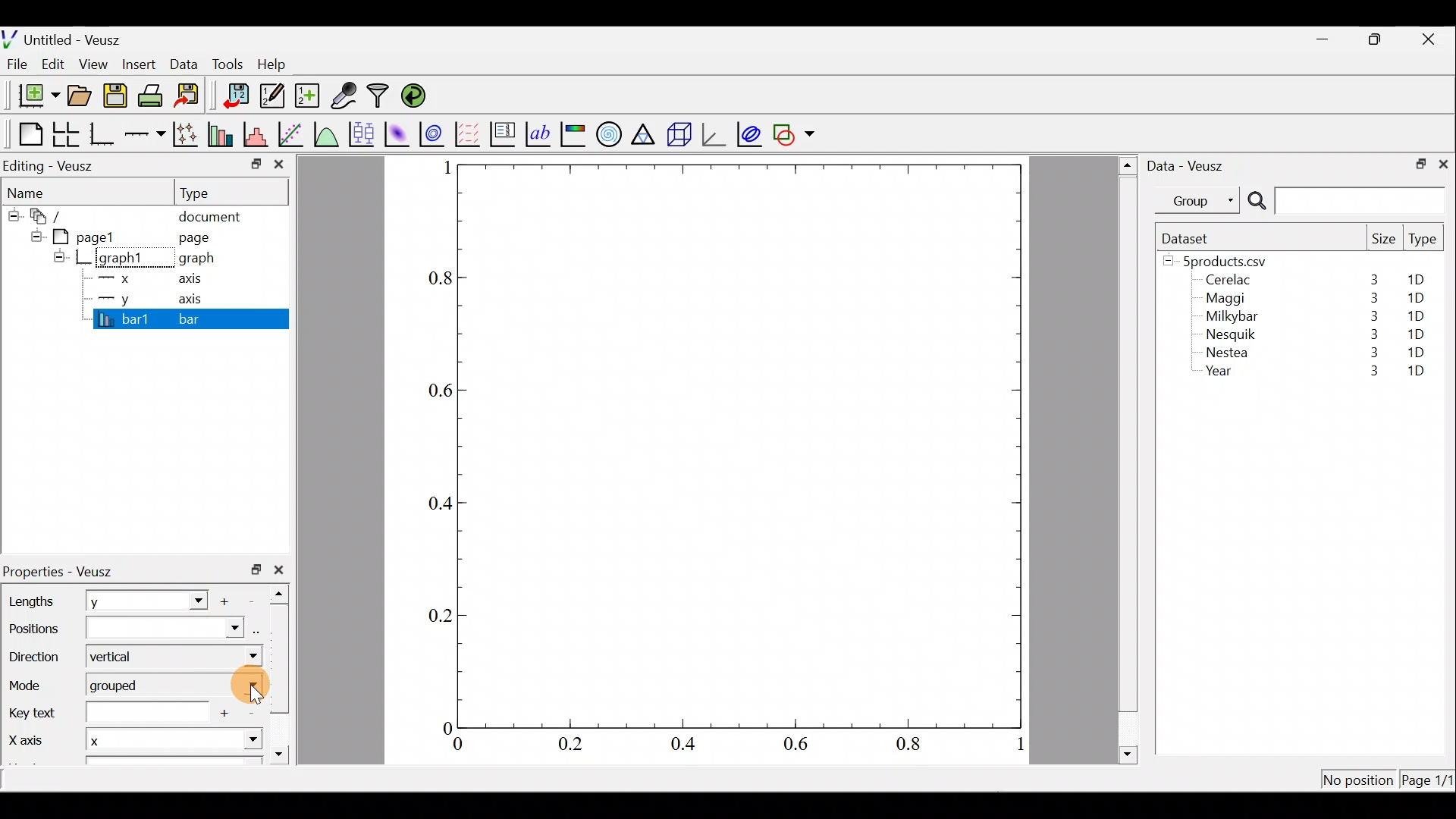  What do you see at coordinates (237, 657) in the screenshot?
I see `direction dropdown` at bounding box center [237, 657].